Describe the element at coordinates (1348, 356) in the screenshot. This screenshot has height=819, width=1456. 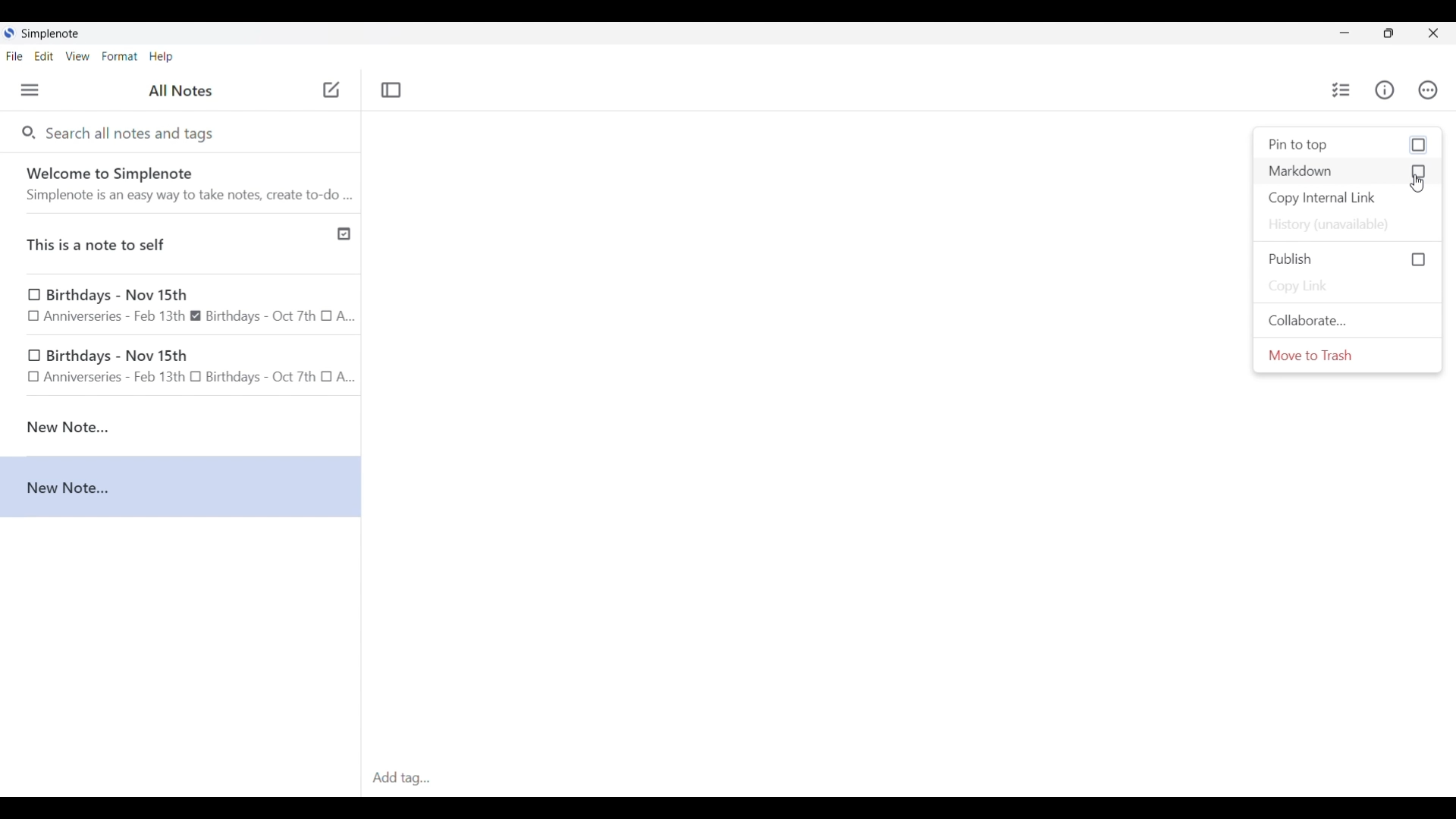
I see `Move to trash` at that location.